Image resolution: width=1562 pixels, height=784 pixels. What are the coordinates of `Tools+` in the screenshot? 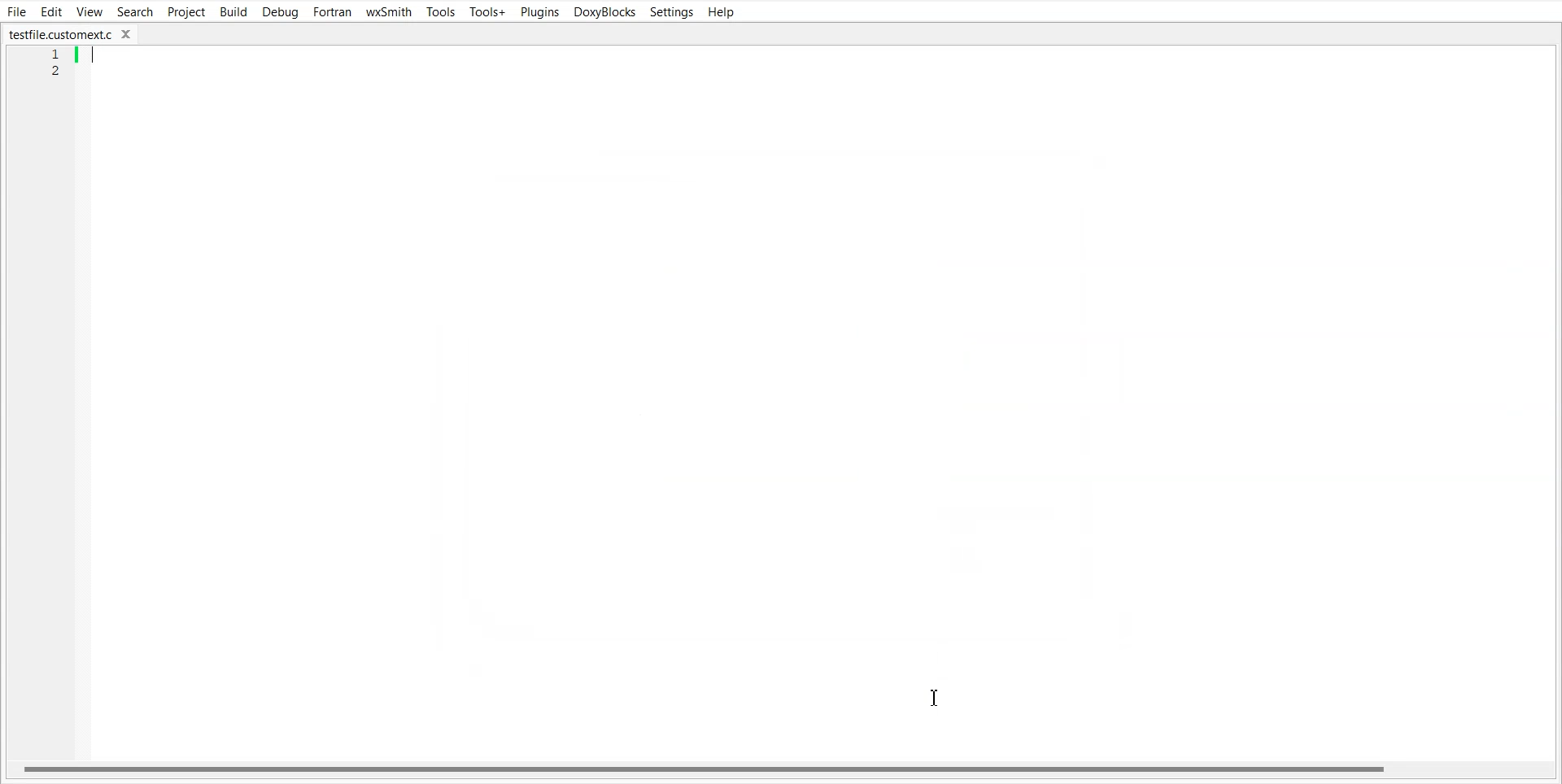 It's located at (487, 12).